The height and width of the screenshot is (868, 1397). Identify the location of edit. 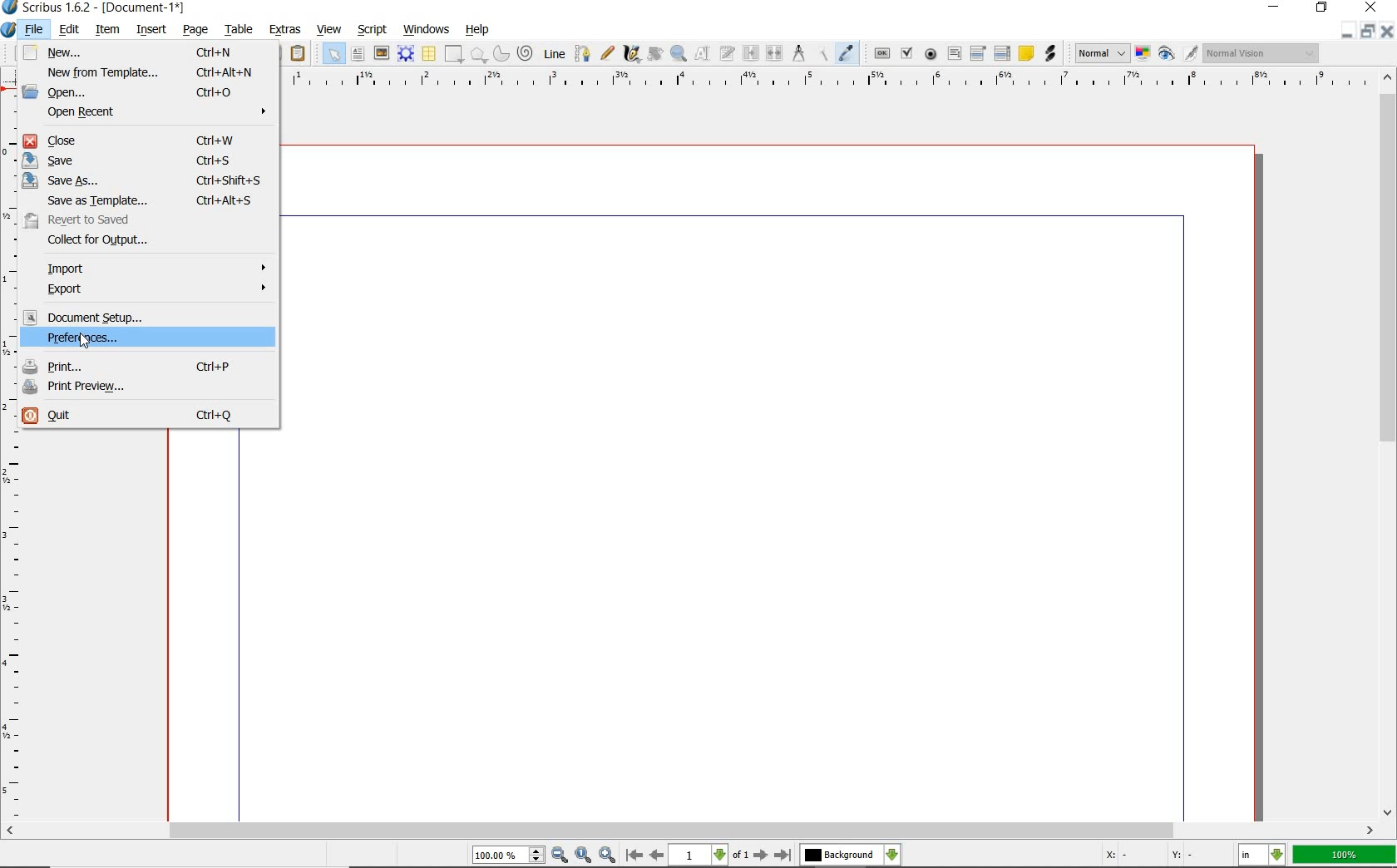
(71, 29).